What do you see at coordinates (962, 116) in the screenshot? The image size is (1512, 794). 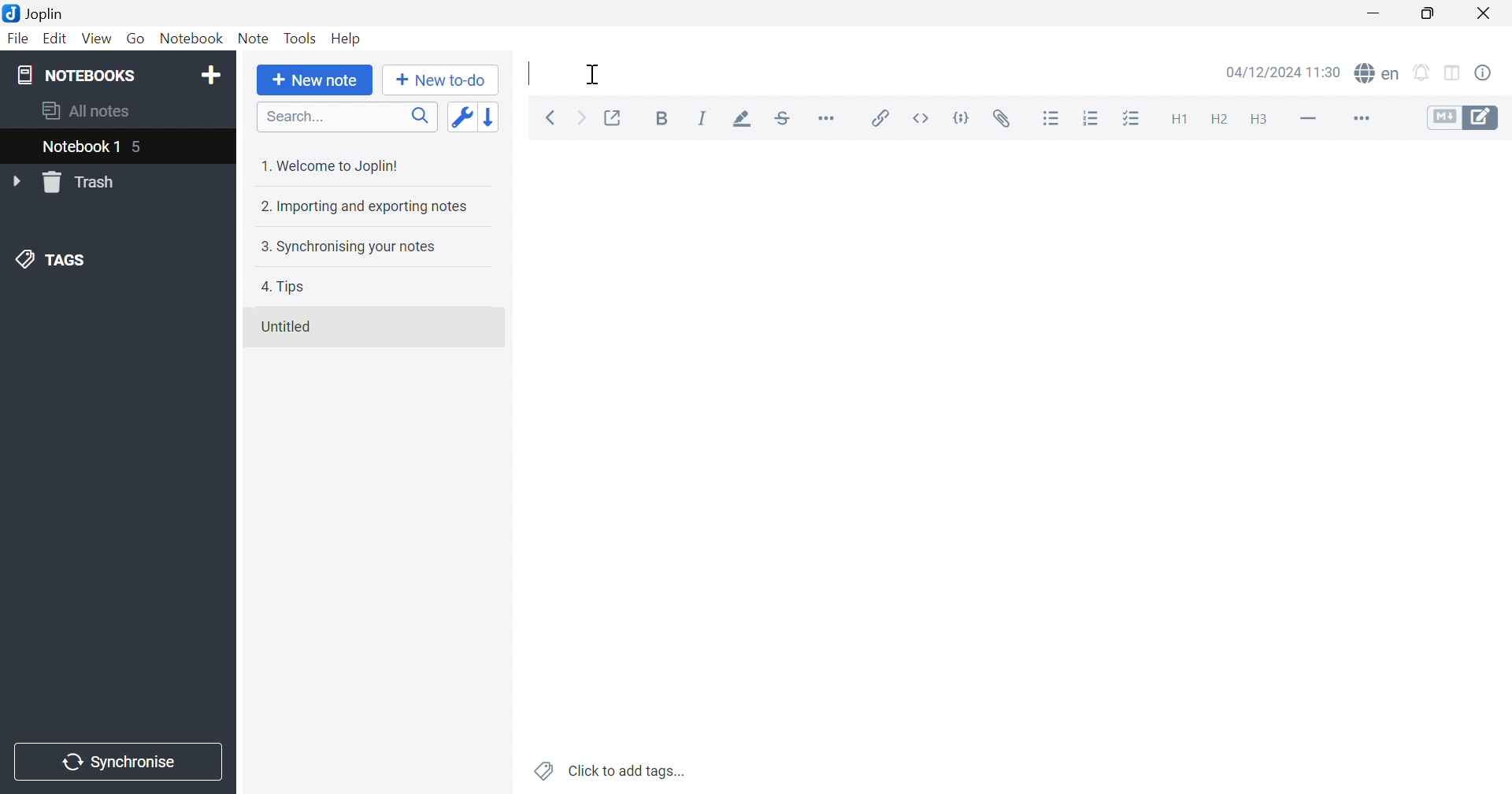 I see `code` at bounding box center [962, 116].